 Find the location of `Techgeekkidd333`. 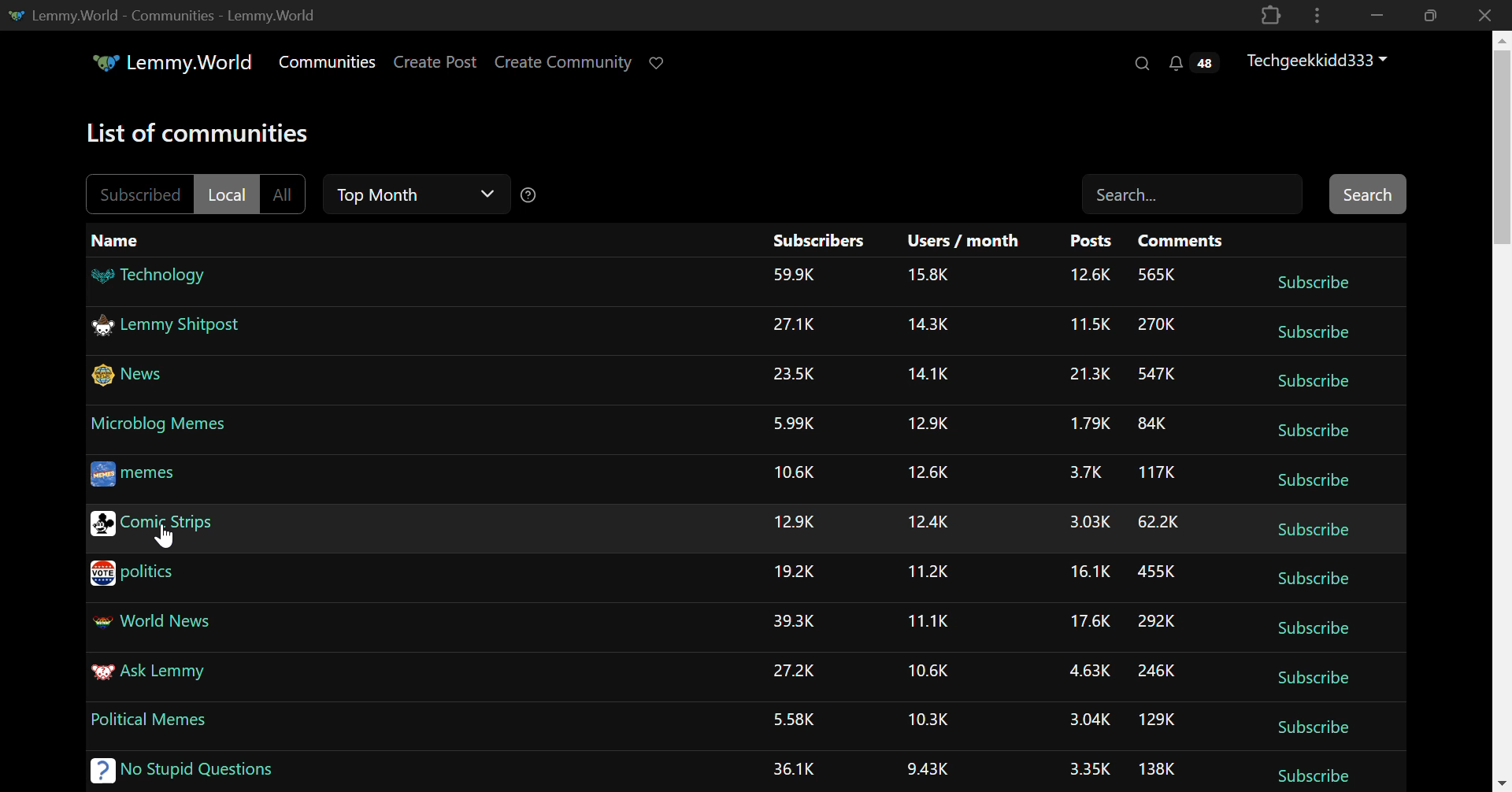

Techgeekkidd333 is located at coordinates (1320, 61).